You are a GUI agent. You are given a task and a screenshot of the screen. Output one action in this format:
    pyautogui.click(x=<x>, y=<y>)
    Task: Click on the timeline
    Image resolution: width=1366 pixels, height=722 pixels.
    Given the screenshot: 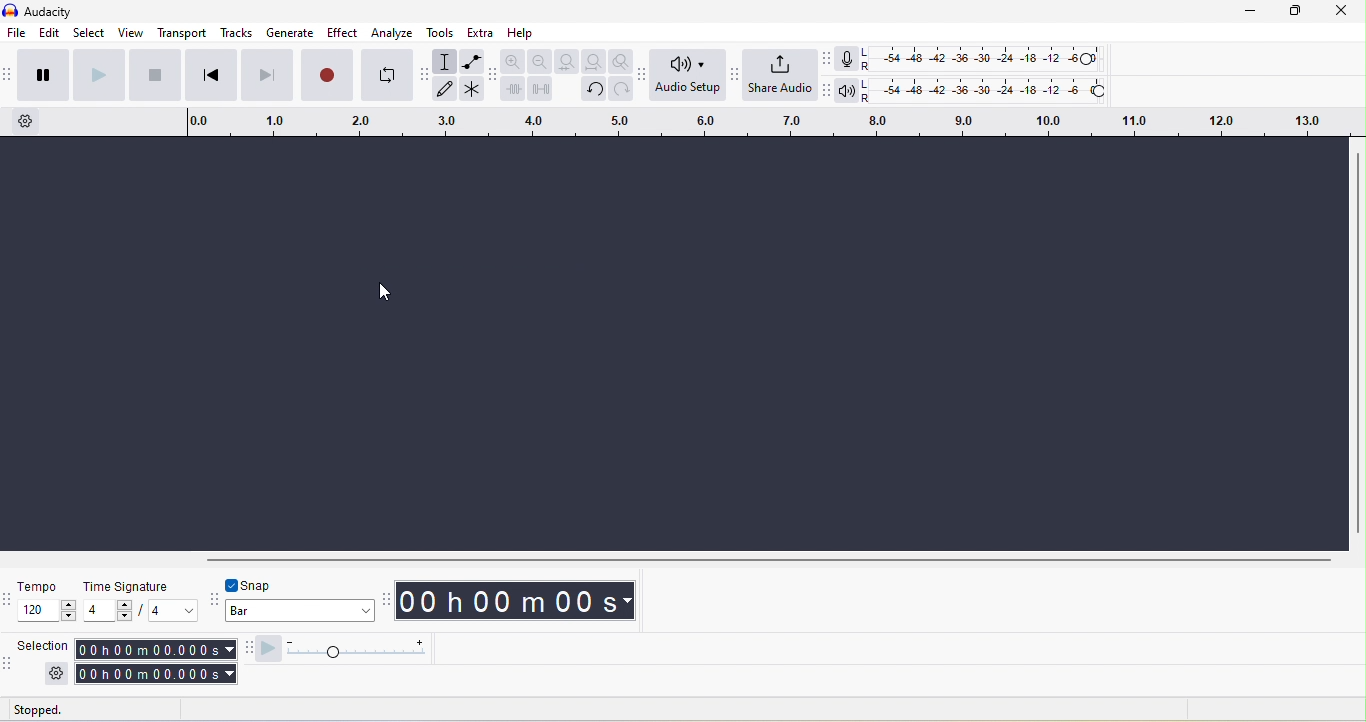 What is the action you would take?
    pyautogui.click(x=770, y=122)
    